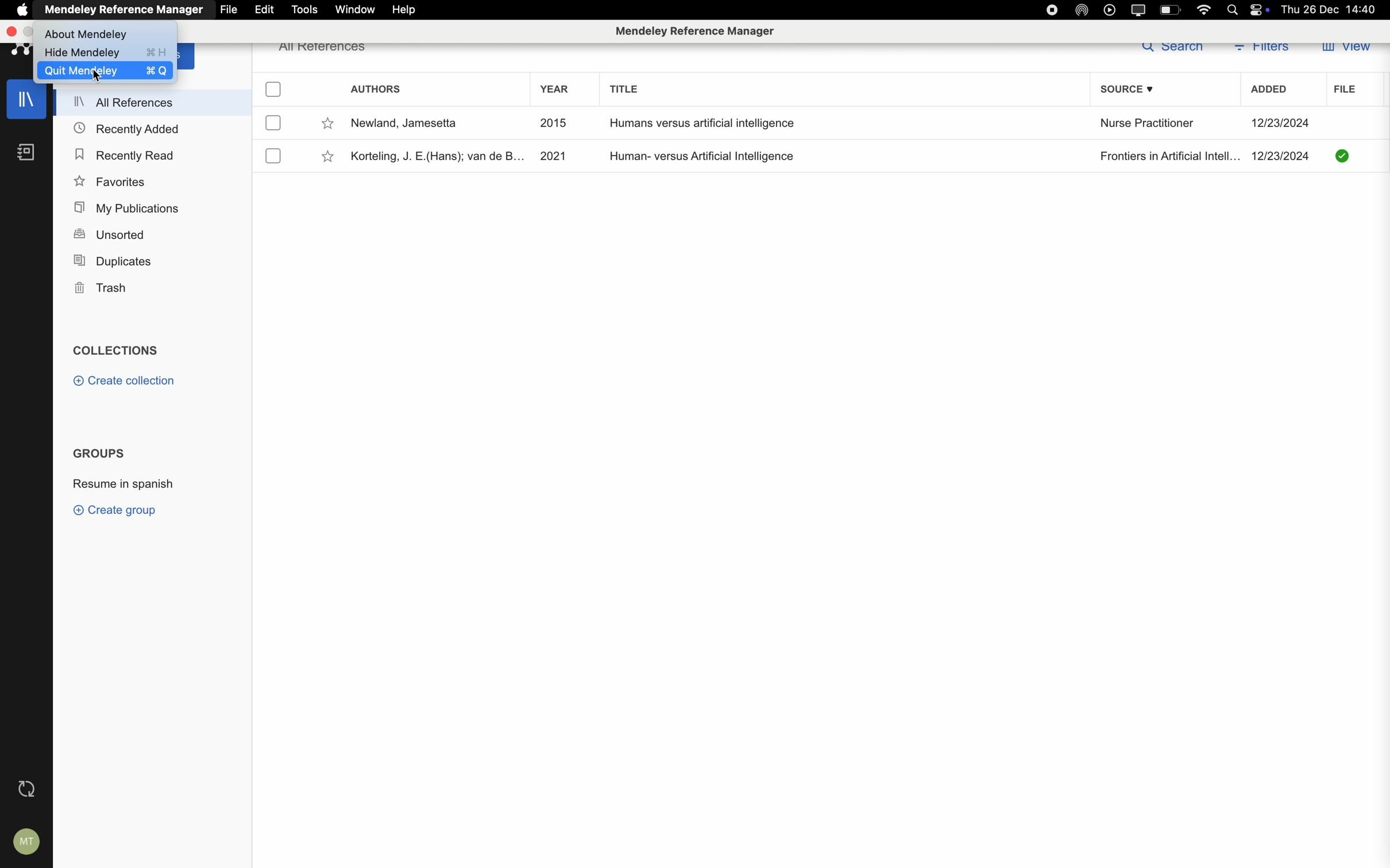 Image resolution: width=1390 pixels, height=868 pixels. What do you see at coordinates (274, 157) in the screenshot?
I see `checkbox` at bounding box center [274, 157].